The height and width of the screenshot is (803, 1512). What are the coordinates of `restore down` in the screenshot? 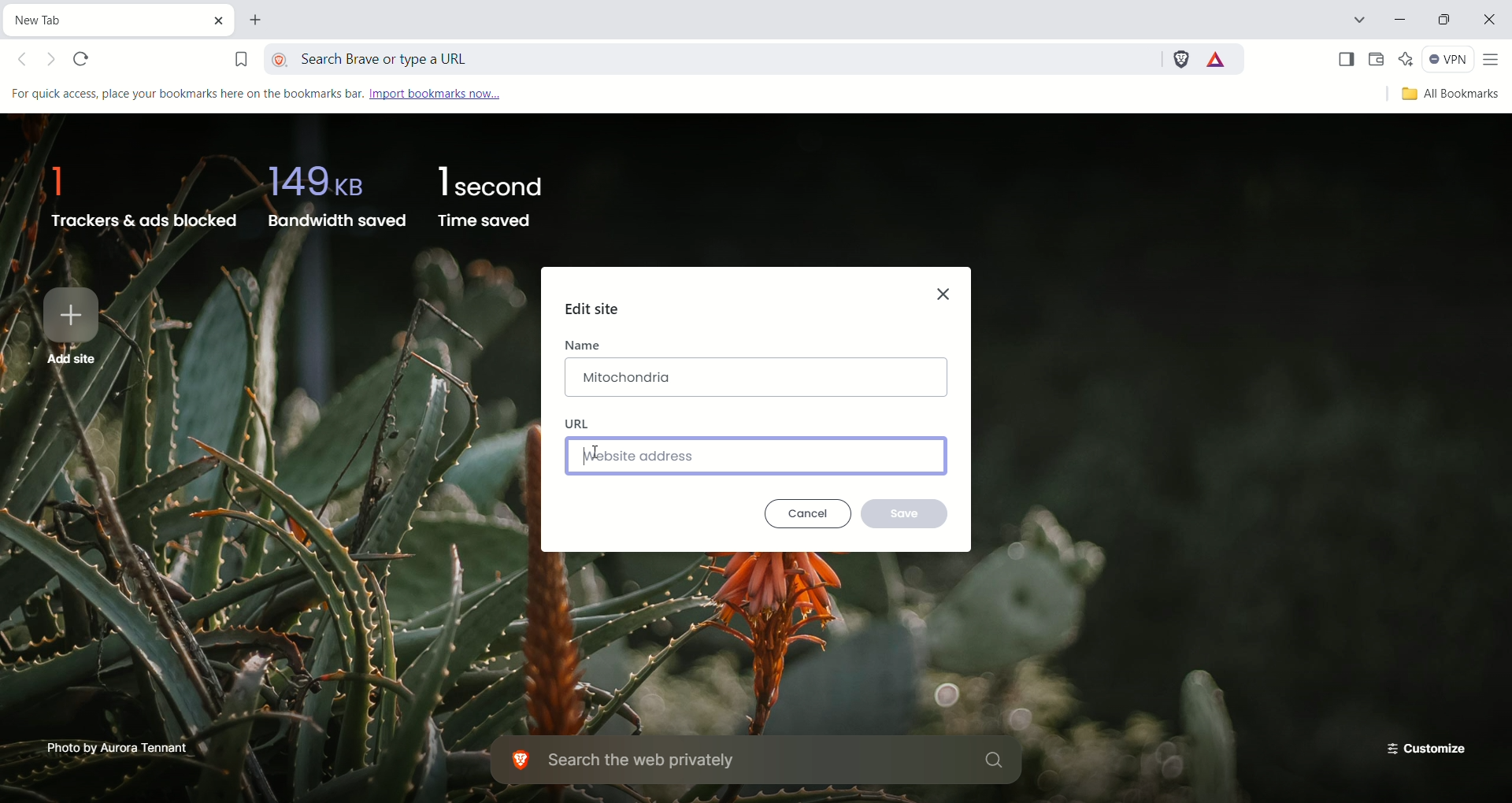 It's located at (1447, 22).